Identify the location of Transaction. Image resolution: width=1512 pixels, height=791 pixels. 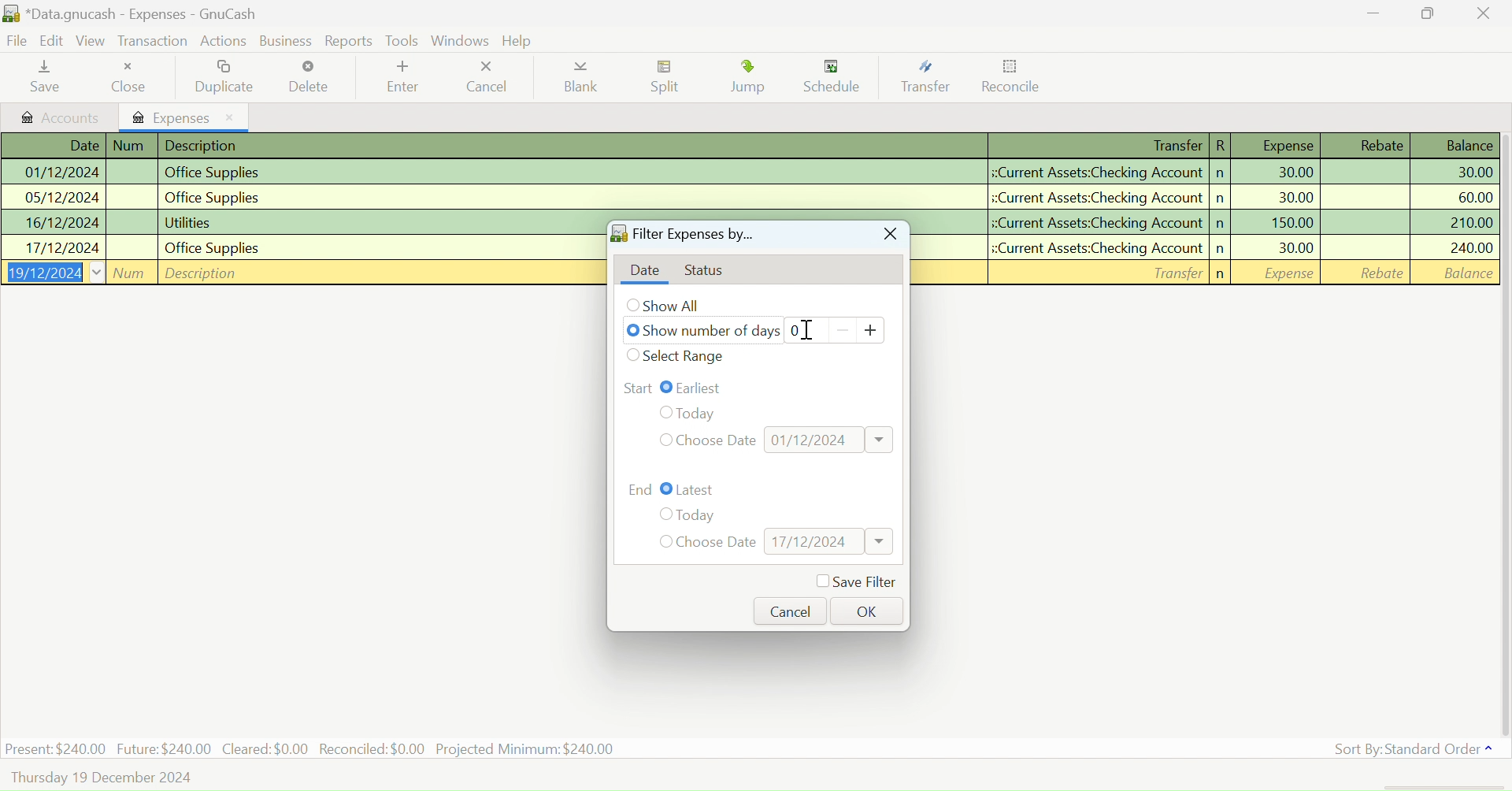
(152, 42).